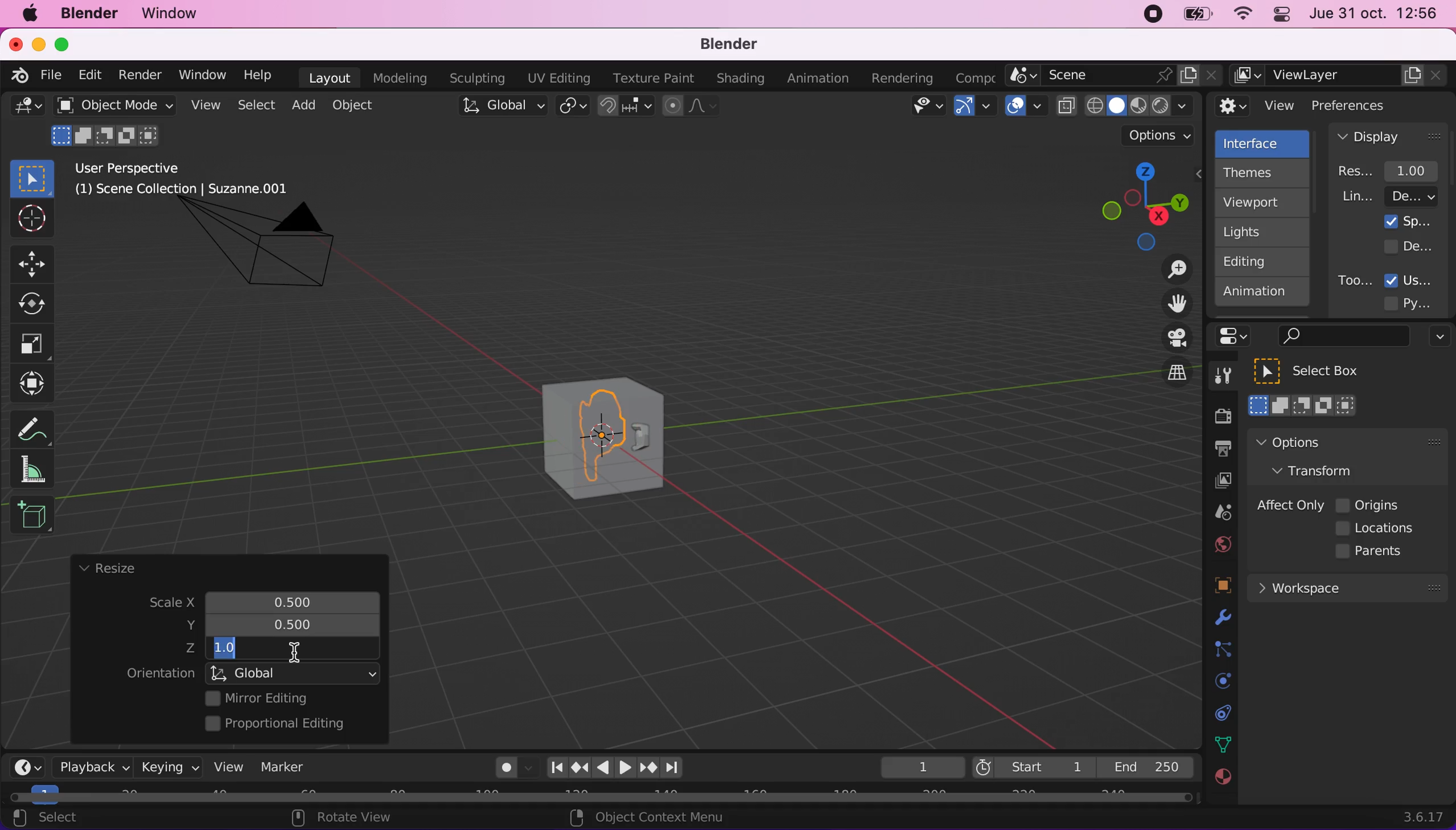 The height and width of the screenshot is (830, 1456). I want to click on select, so click(58, 819).